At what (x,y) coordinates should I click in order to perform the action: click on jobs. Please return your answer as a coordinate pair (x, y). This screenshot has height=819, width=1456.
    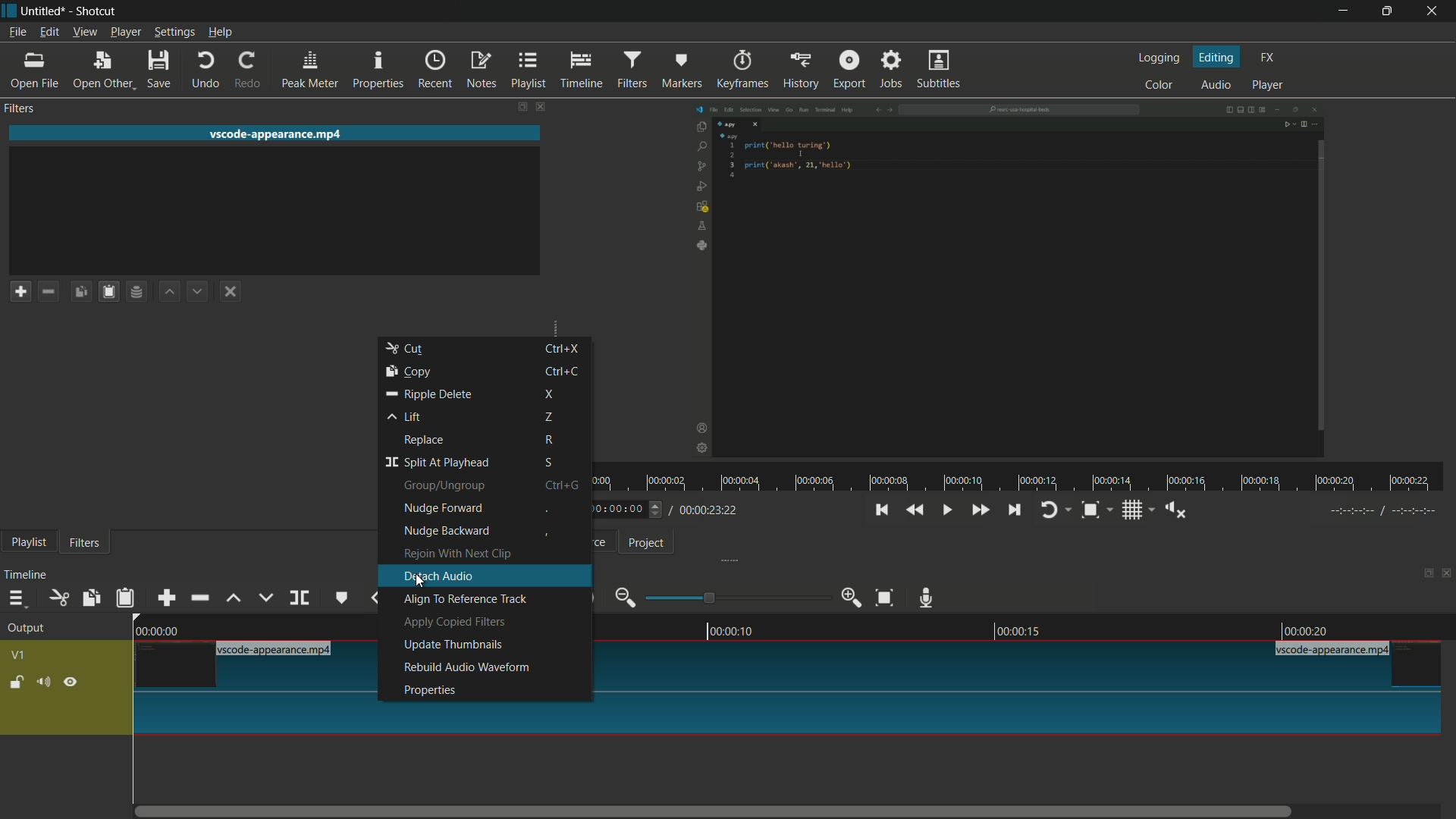
    Looking at the image, I should click on (893, 71).